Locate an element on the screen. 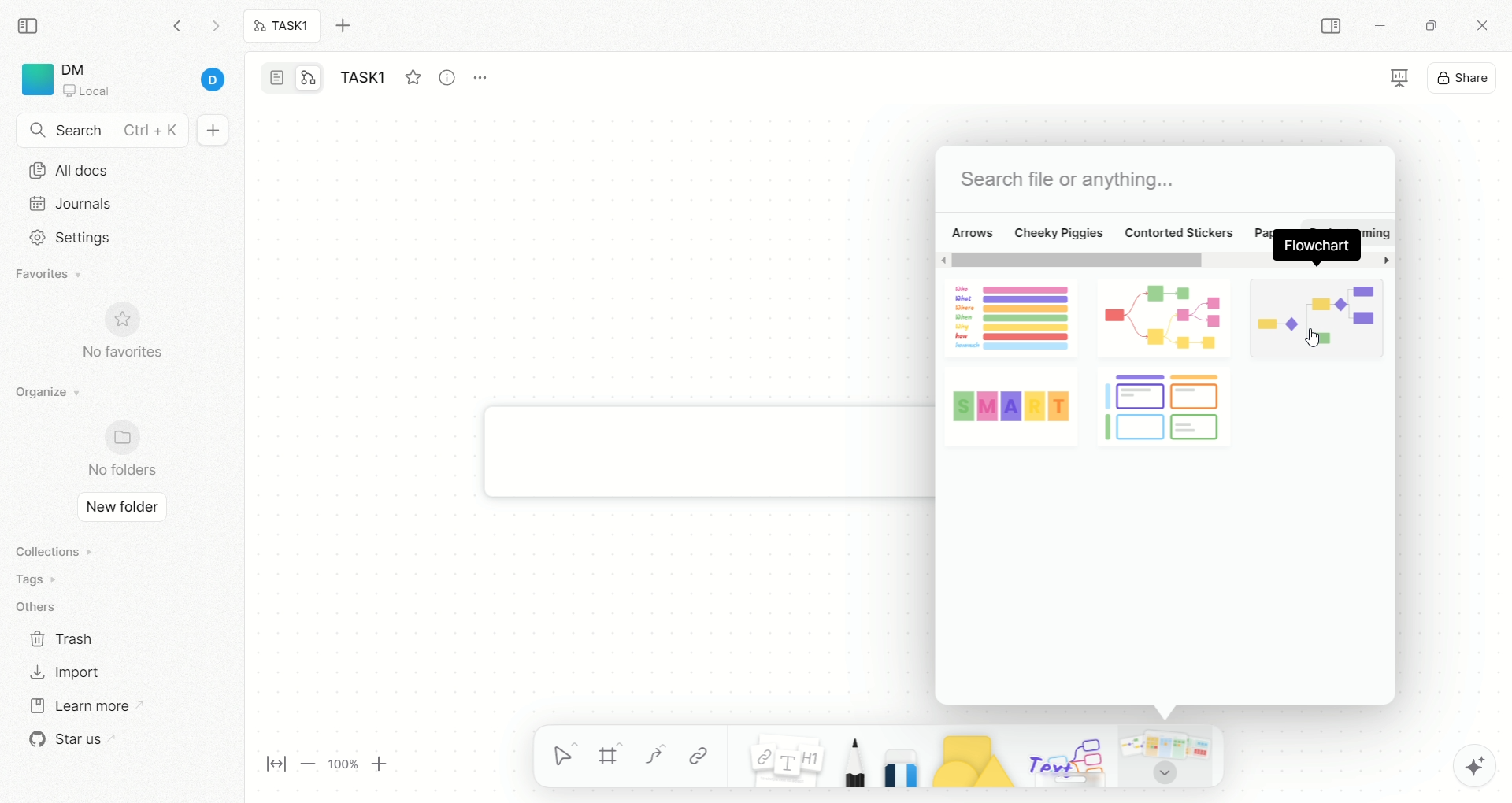 The width and height of the screenshot is (1512, 803). task1 is located at coordinates (283, 28).